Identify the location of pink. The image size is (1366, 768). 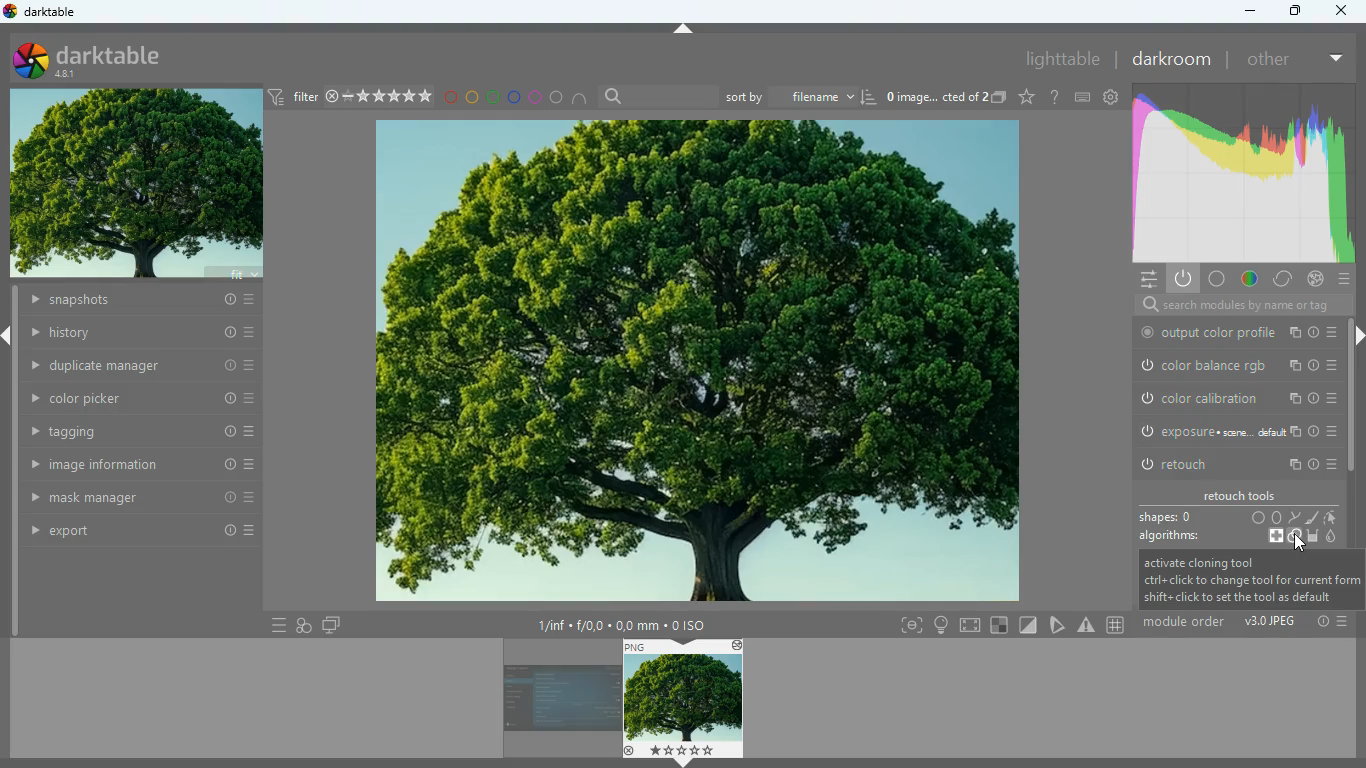
(534, 99).